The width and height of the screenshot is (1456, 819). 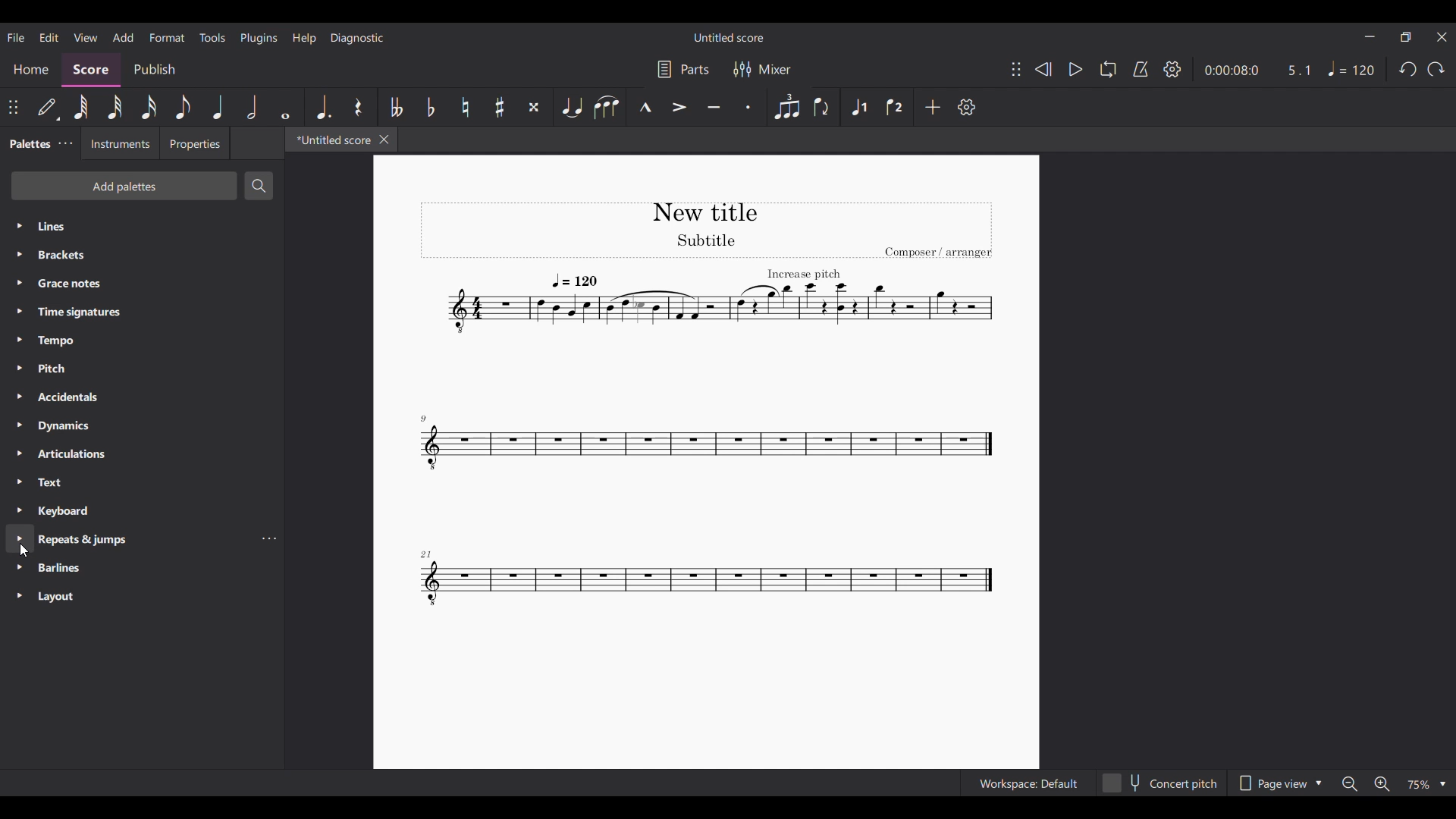 I want to click on Tempo, so click(x=1351, y=69).